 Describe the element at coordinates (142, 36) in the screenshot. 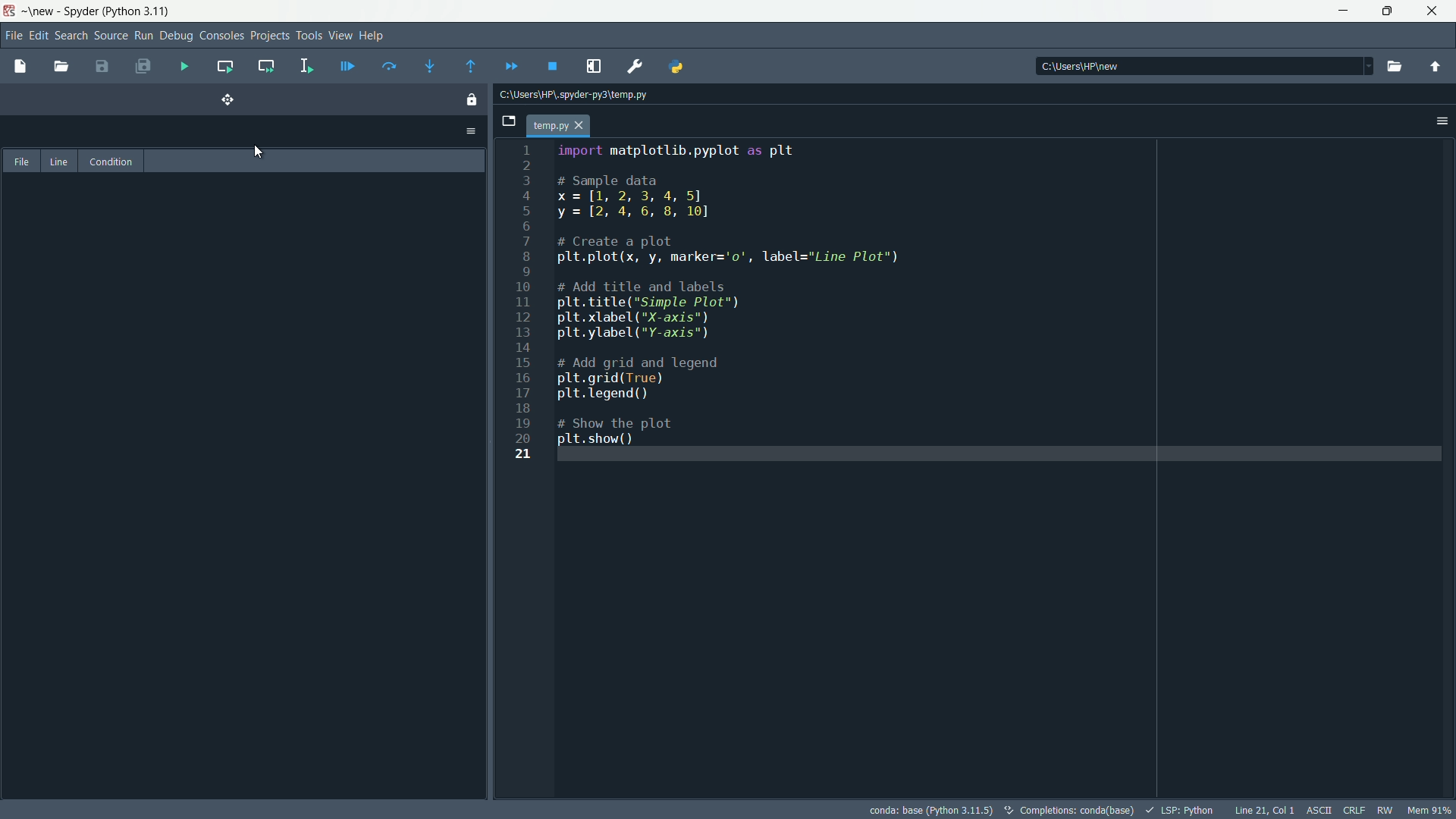

I see `run menu` at that location.